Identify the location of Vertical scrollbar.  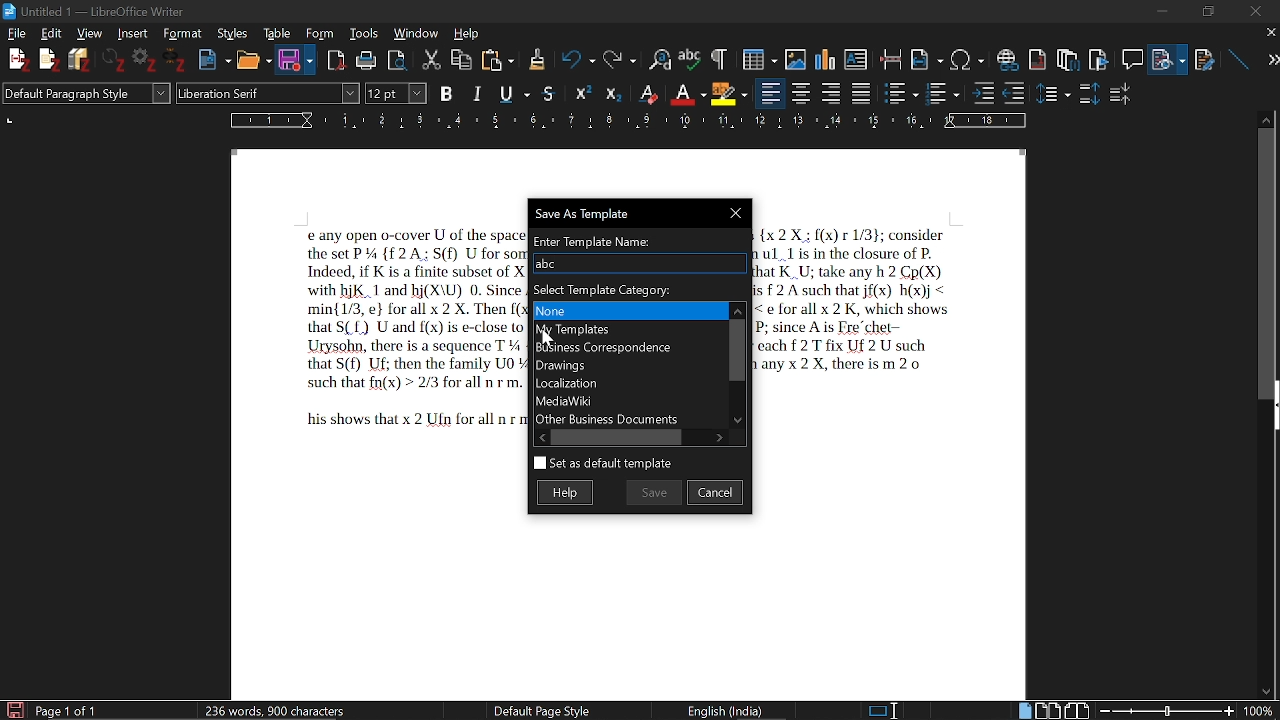
(736, 348).